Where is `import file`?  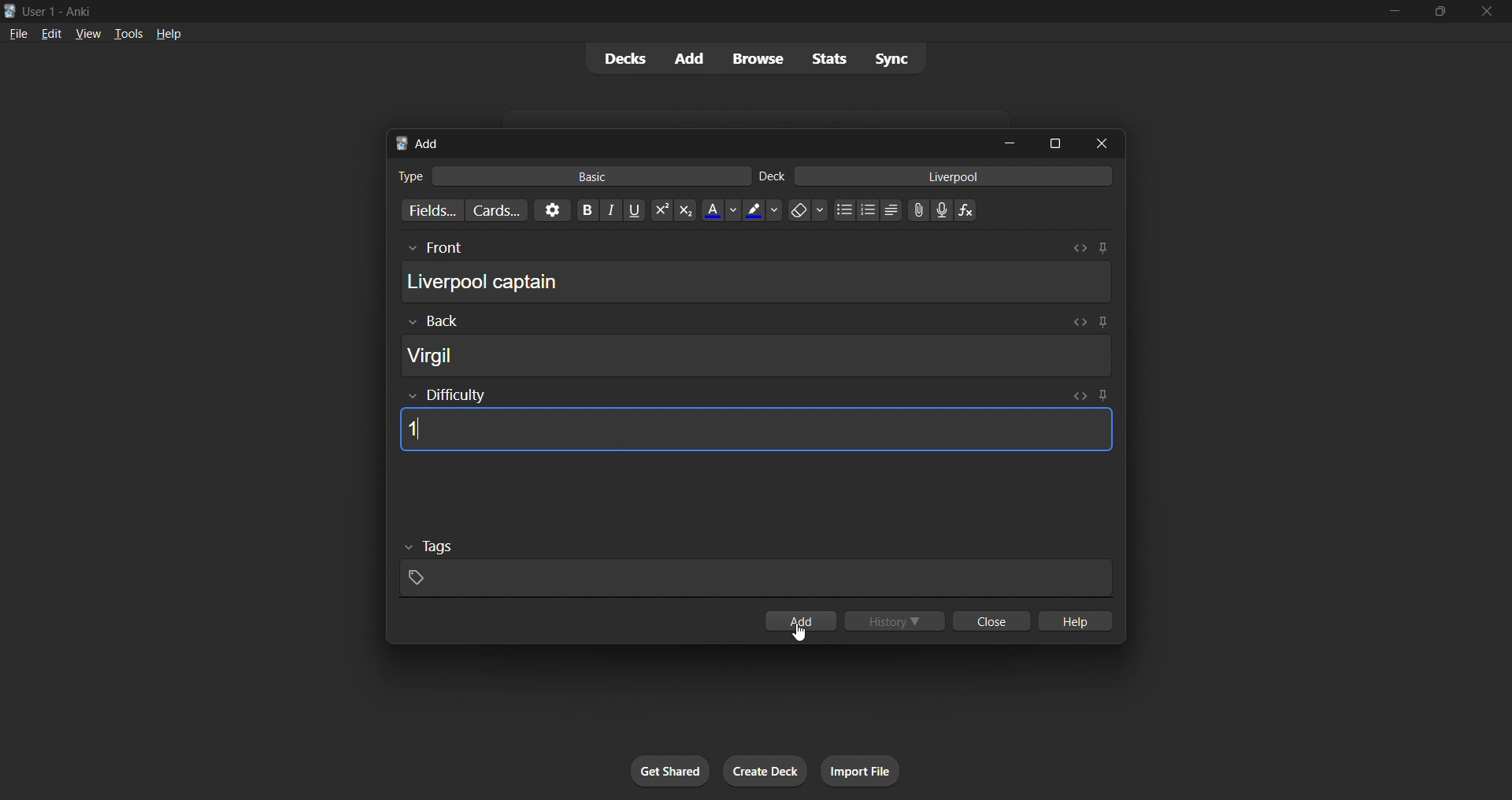 import file is located at coordinates (860, 771).